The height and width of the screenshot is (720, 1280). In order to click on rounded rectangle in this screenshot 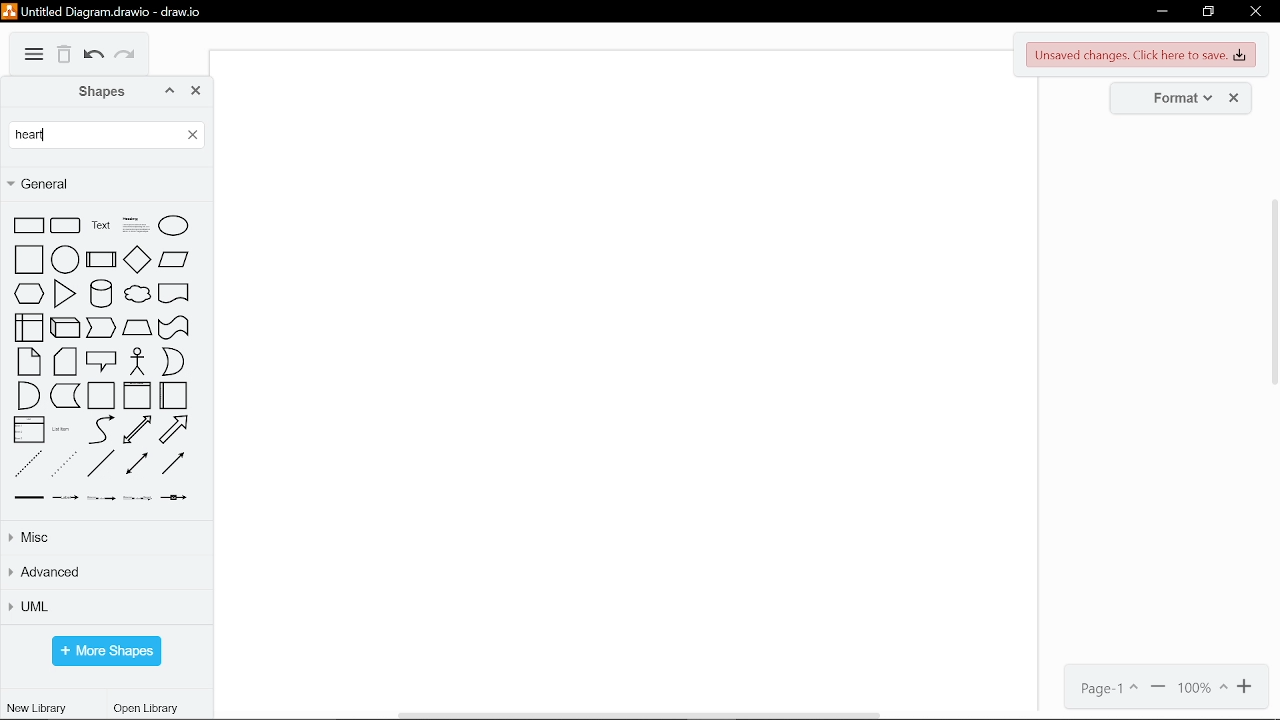, I will do `click(66, 227)`.